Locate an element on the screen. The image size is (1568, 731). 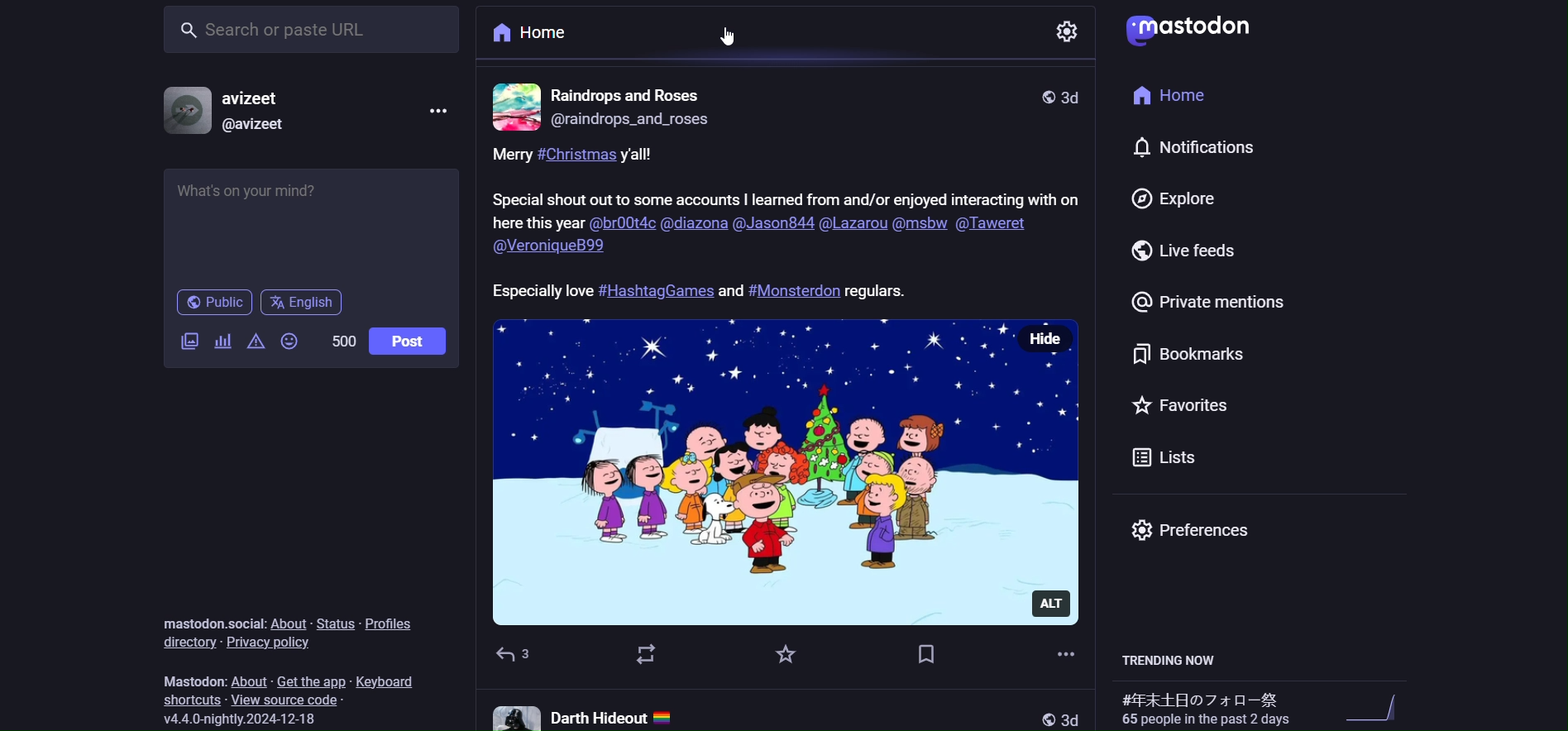
image is located at coordinates (745, 471).